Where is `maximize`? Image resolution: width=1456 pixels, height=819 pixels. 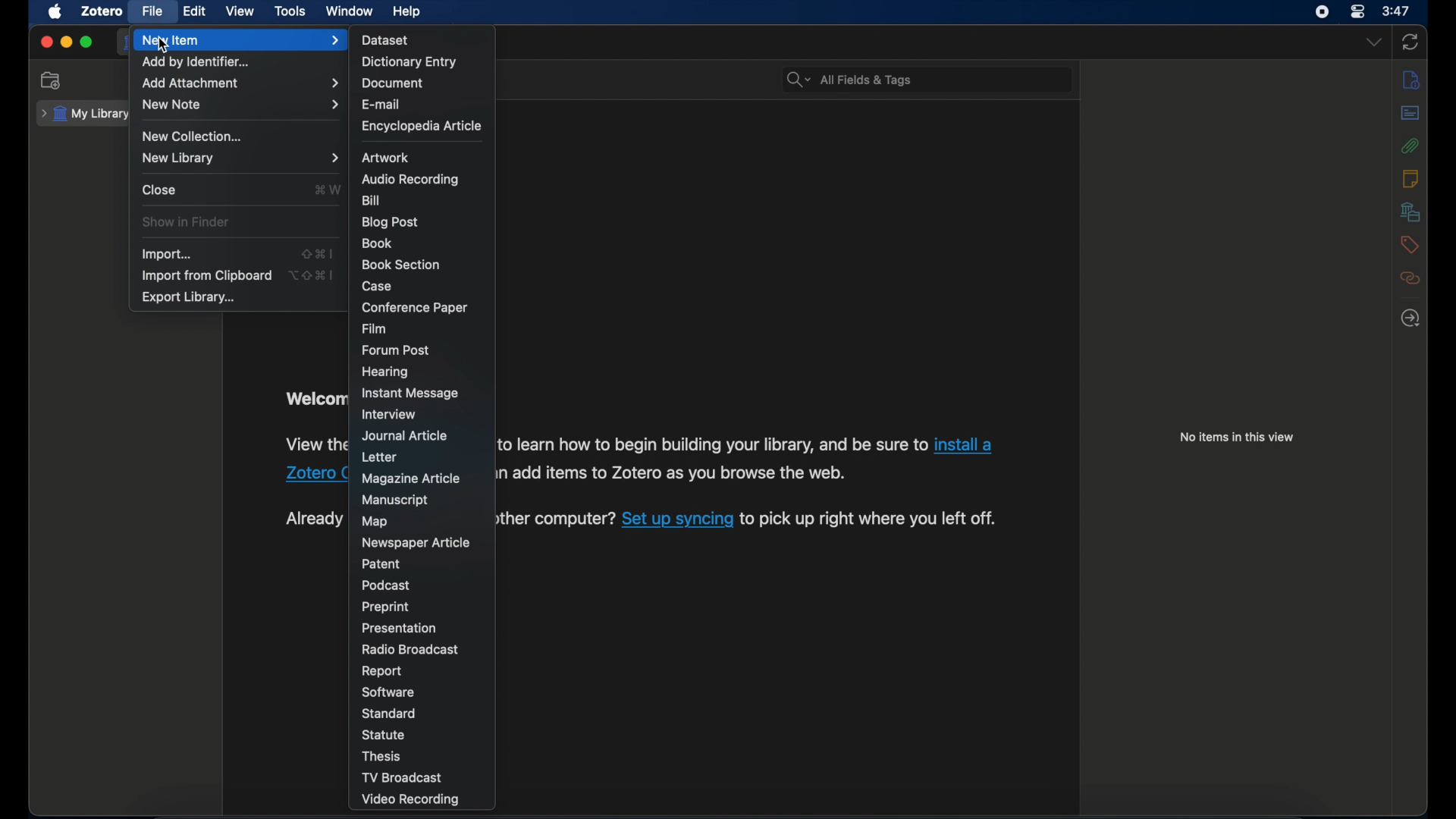 maximize is located at coordinates (87, 42).